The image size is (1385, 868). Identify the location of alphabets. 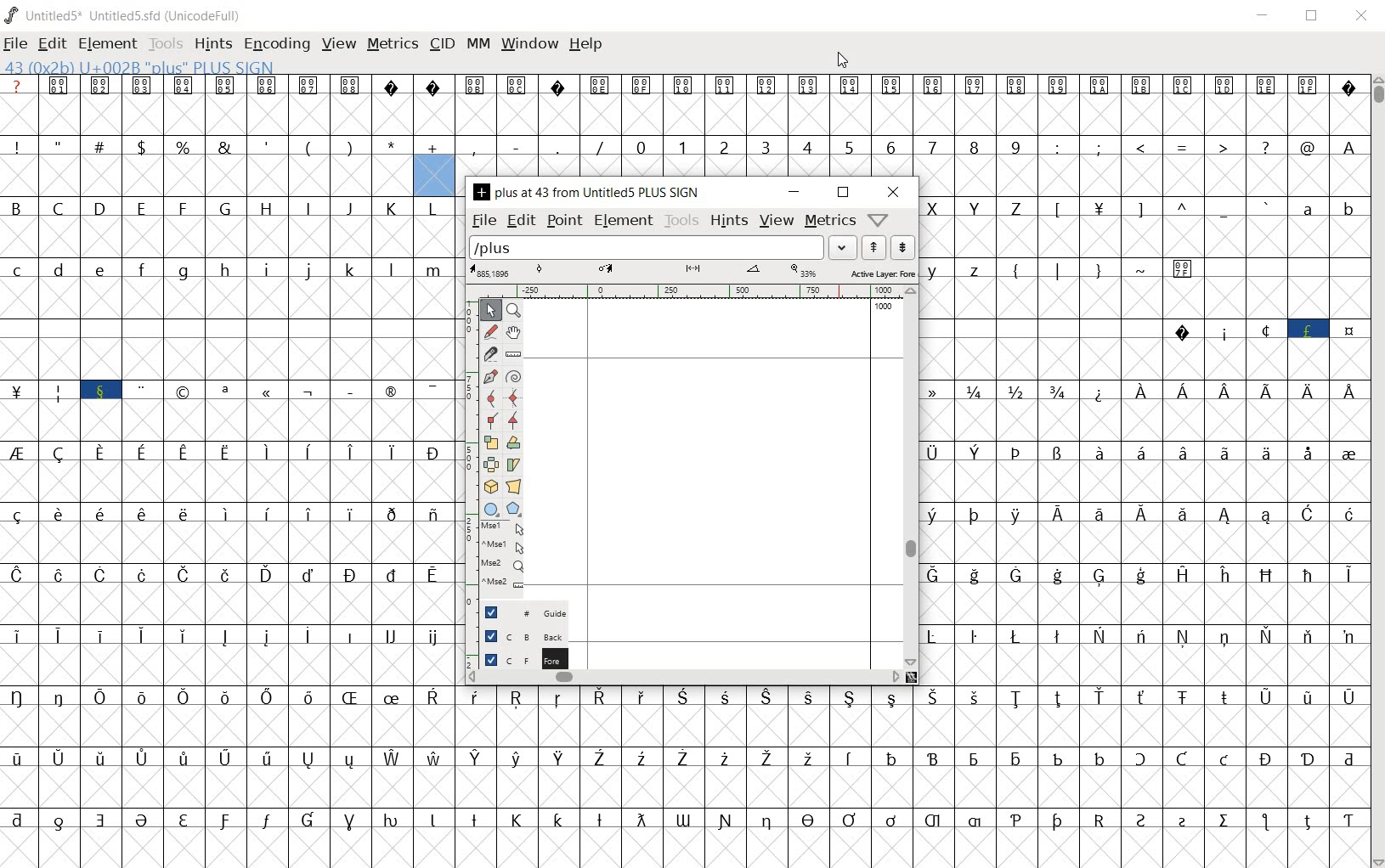
(227, 228).